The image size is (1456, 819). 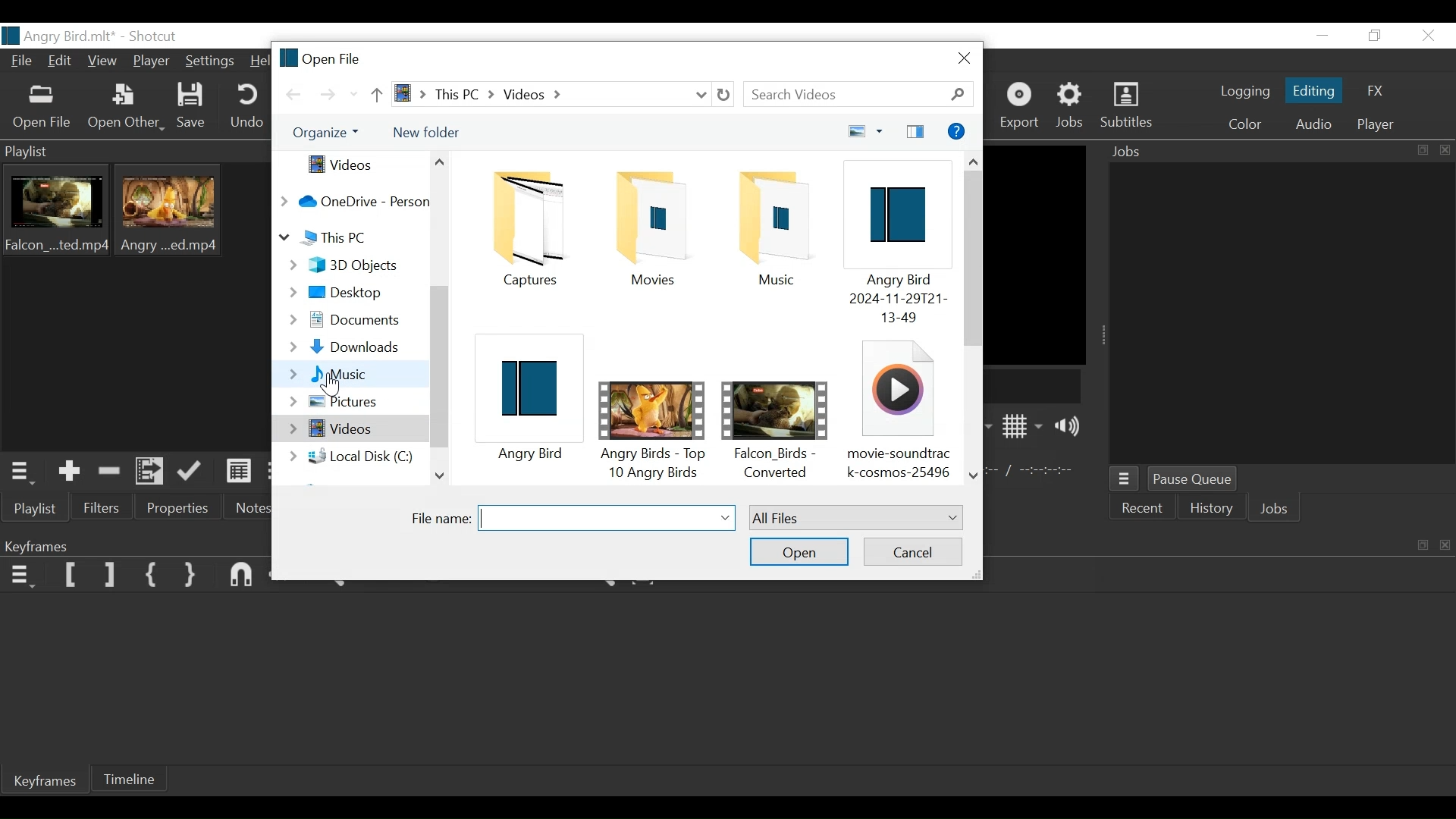 I want to click on Keyframe menu, so click(x=20, y=577).